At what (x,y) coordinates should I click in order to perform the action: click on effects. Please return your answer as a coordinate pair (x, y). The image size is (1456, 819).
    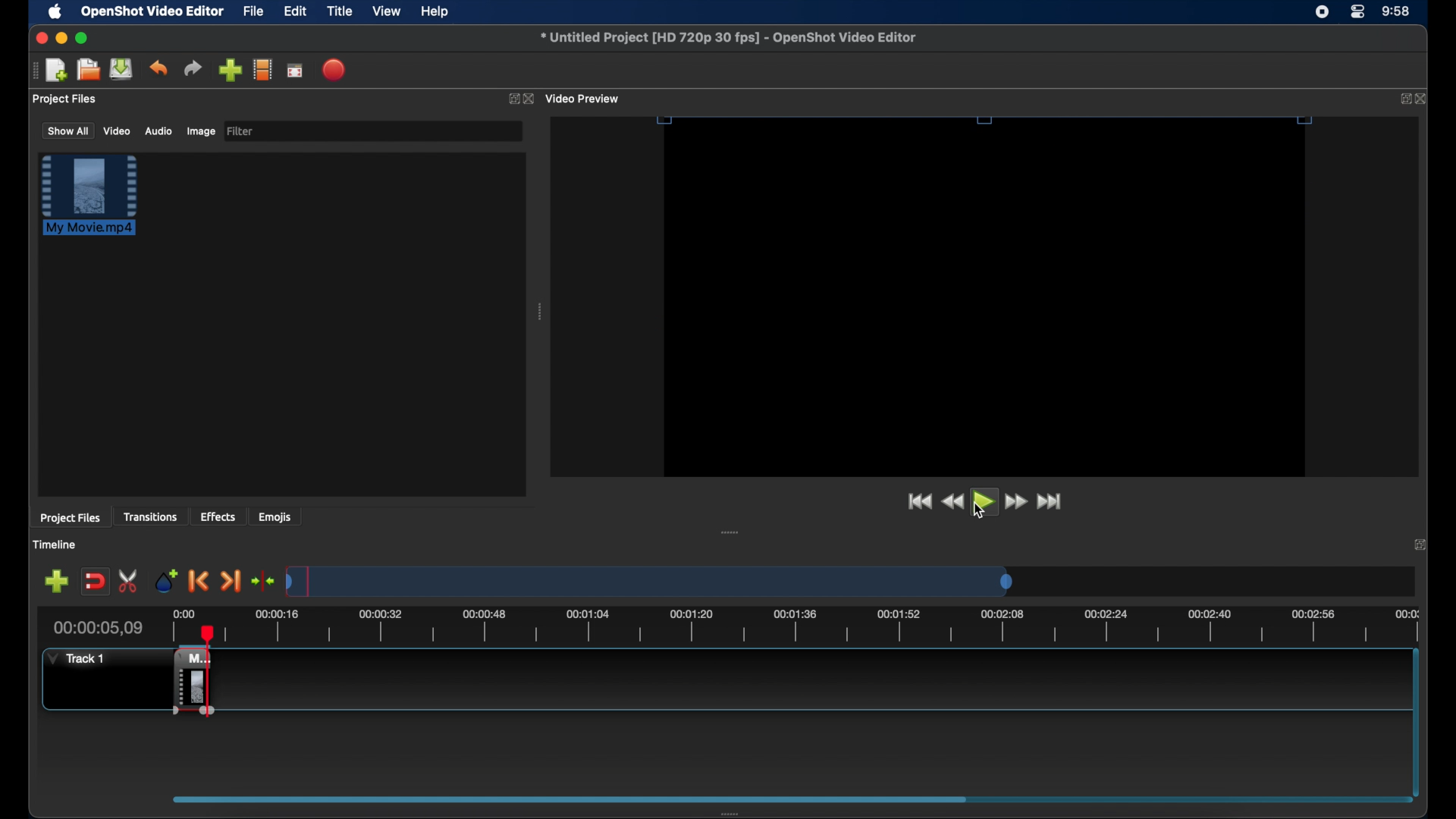
    Looking at the image, I should click on (218, 516).